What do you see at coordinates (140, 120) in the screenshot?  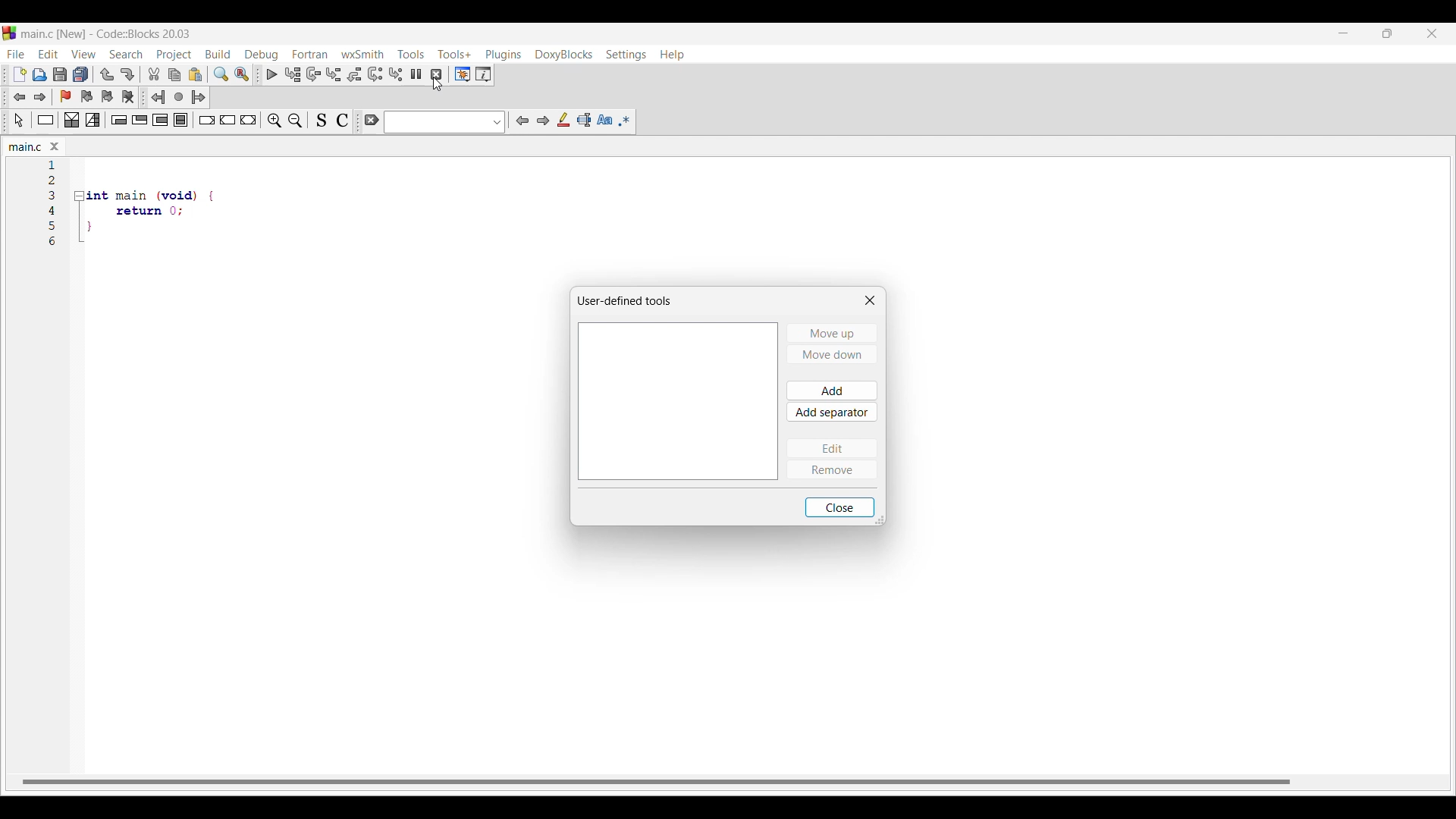 I see `Exit condition` at bounding box center [140, 120].